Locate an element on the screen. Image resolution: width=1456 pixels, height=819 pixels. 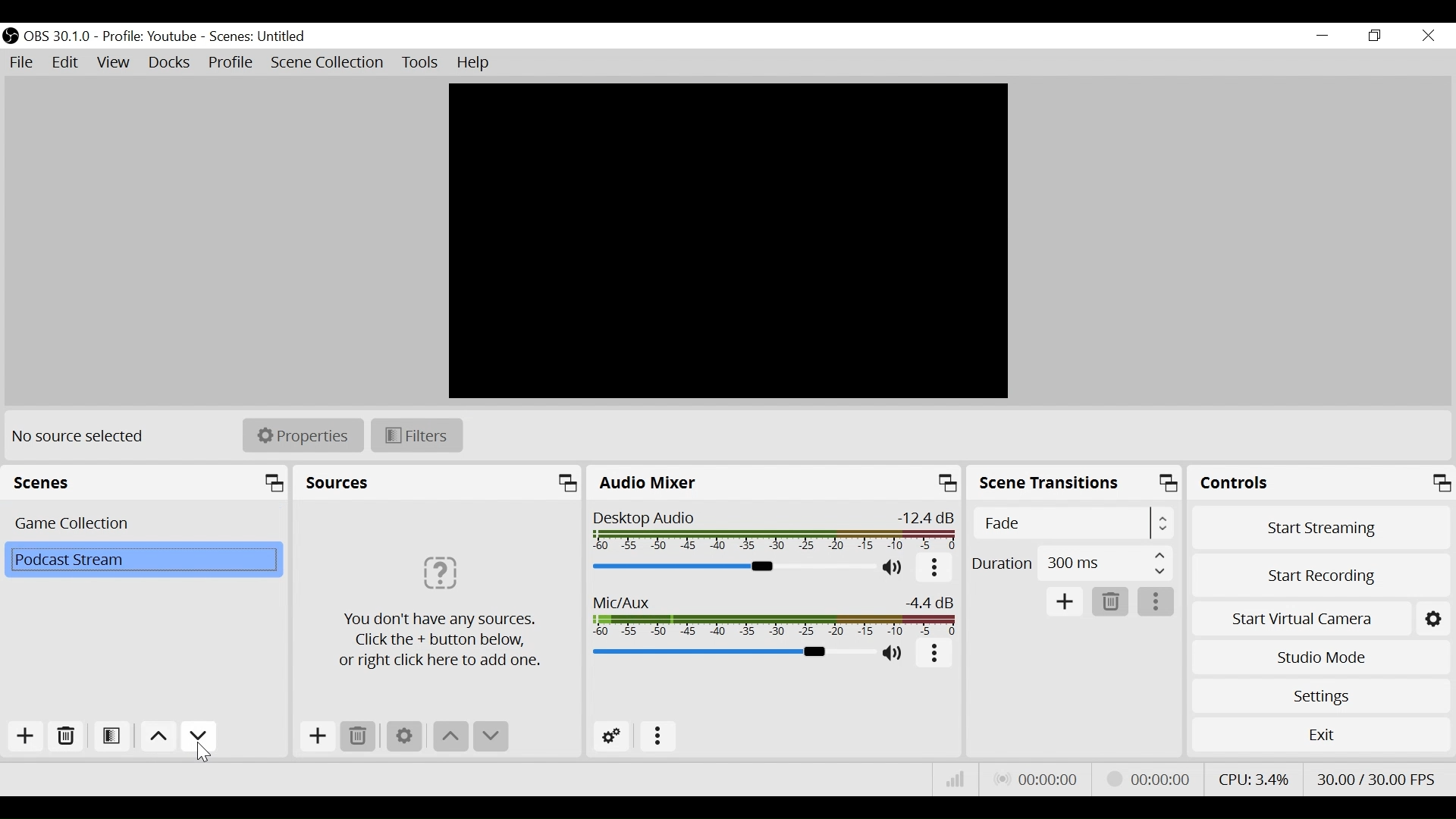
(un)mute is located at coordinates (895, 570).